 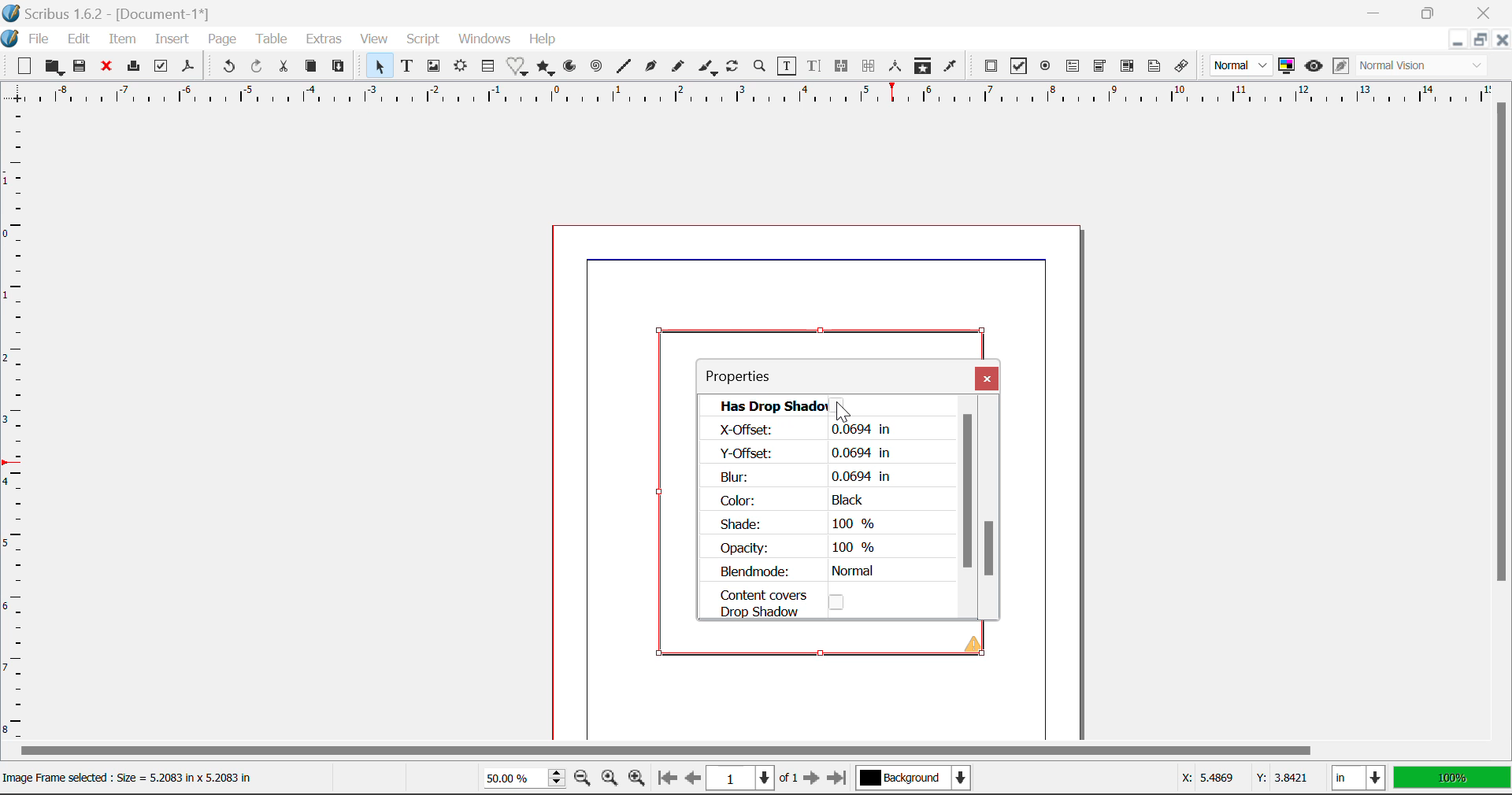 I want to click on Cut, so click(x=283, y=68).